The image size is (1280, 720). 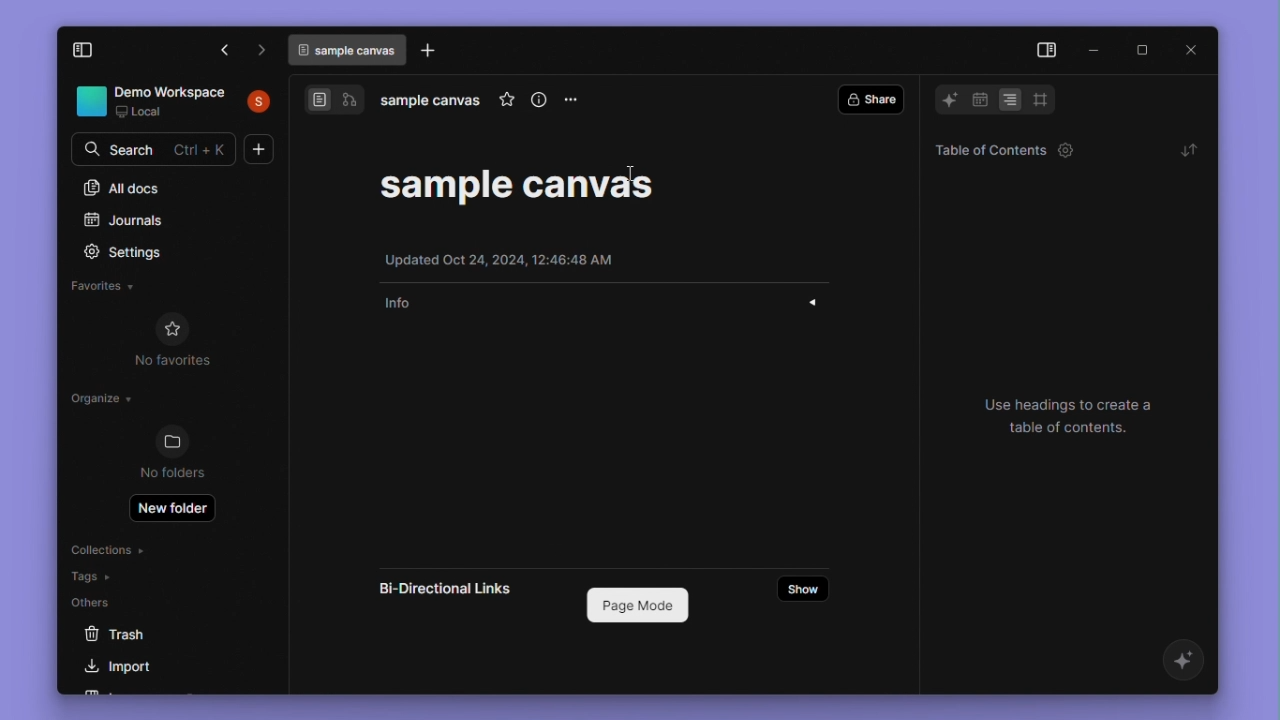 What do you see at coordinates (135, 636) in the screenshot?
I see `trash` at bounding box center [135, 636].